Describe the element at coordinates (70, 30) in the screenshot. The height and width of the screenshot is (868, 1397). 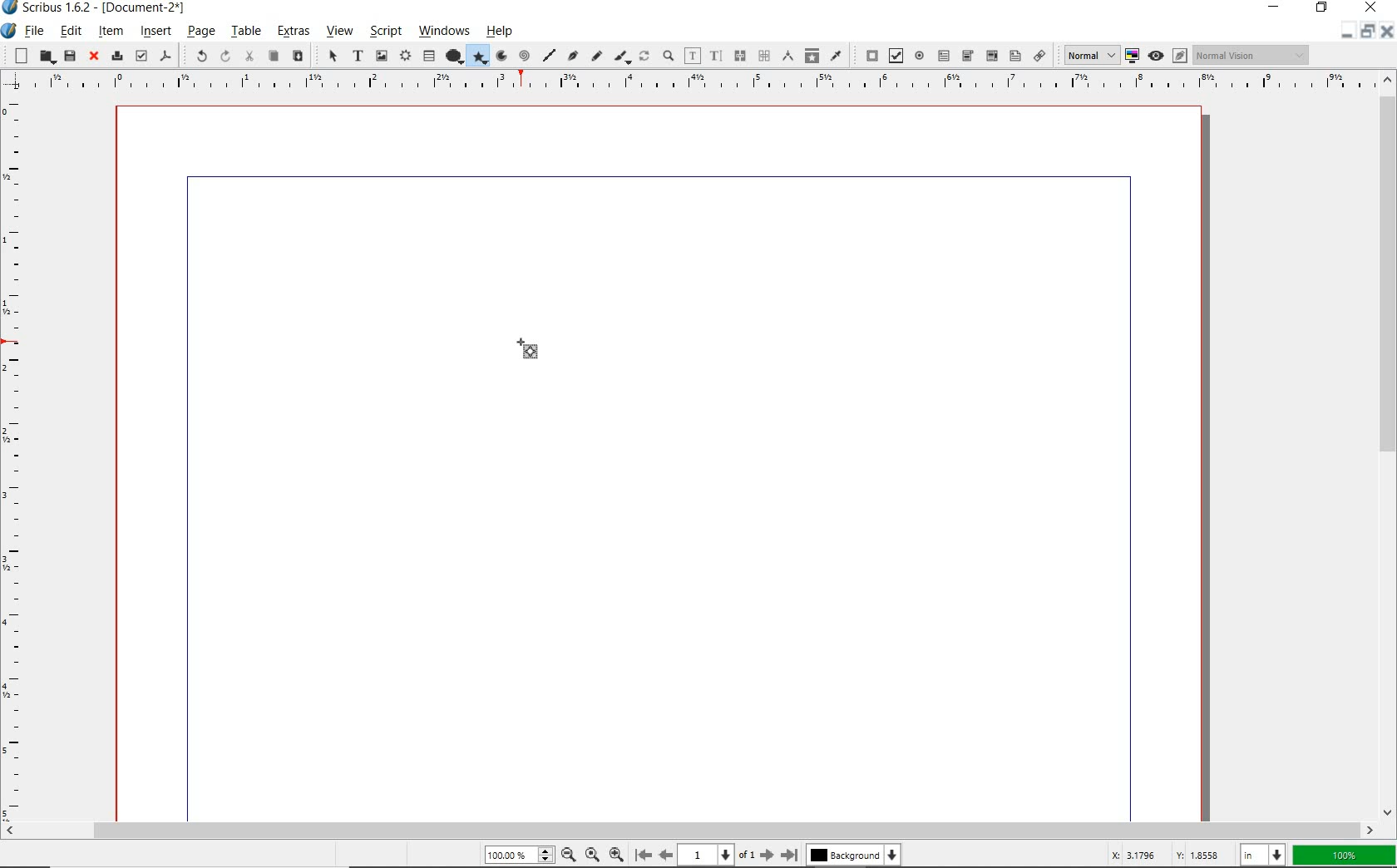
I see `edit` at that location.